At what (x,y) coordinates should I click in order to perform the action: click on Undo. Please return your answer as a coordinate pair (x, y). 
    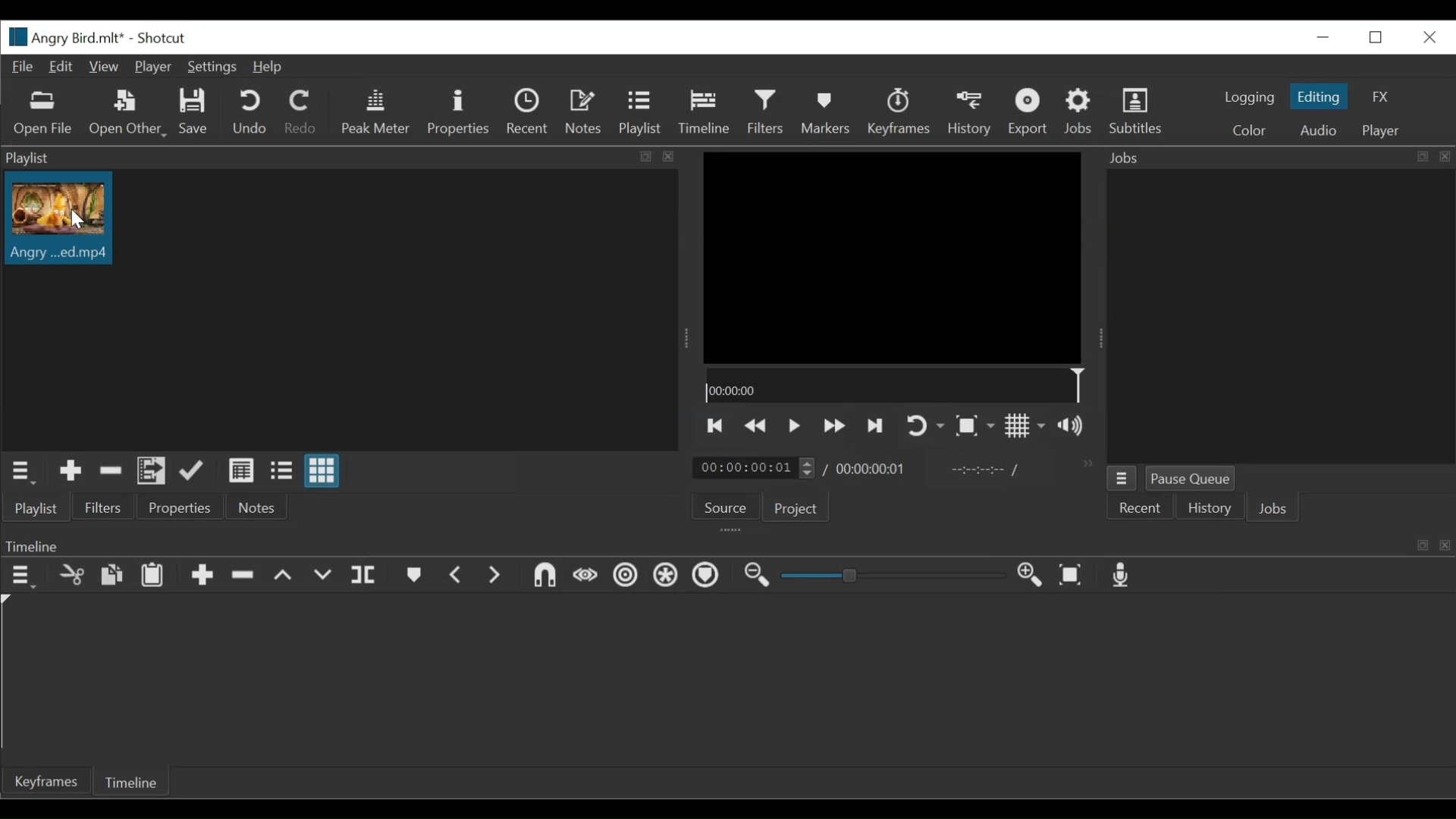
    Looking at the image, I should click on (252, 113).